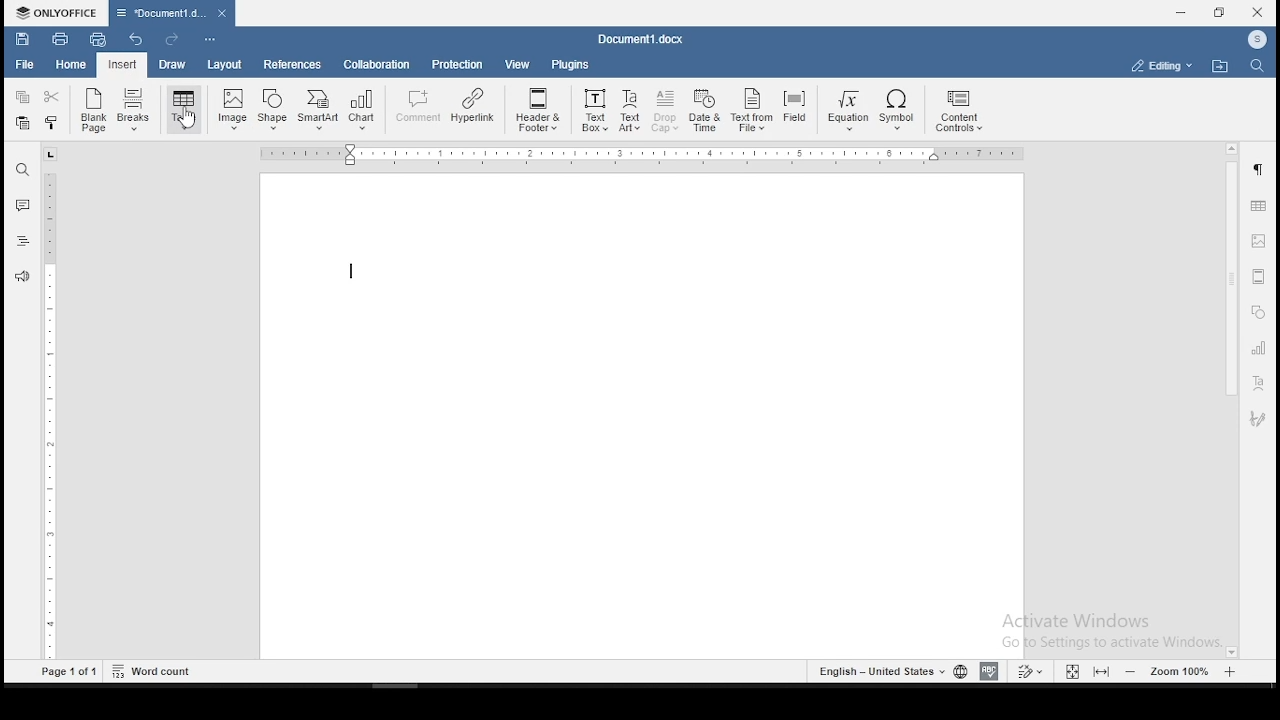 Image resolution: width=1280 pixels, height=720 pixels. What do you see at coordinates (183, 110) in the screenshot?
I see `insert a table` at bounding box center [183, 110].